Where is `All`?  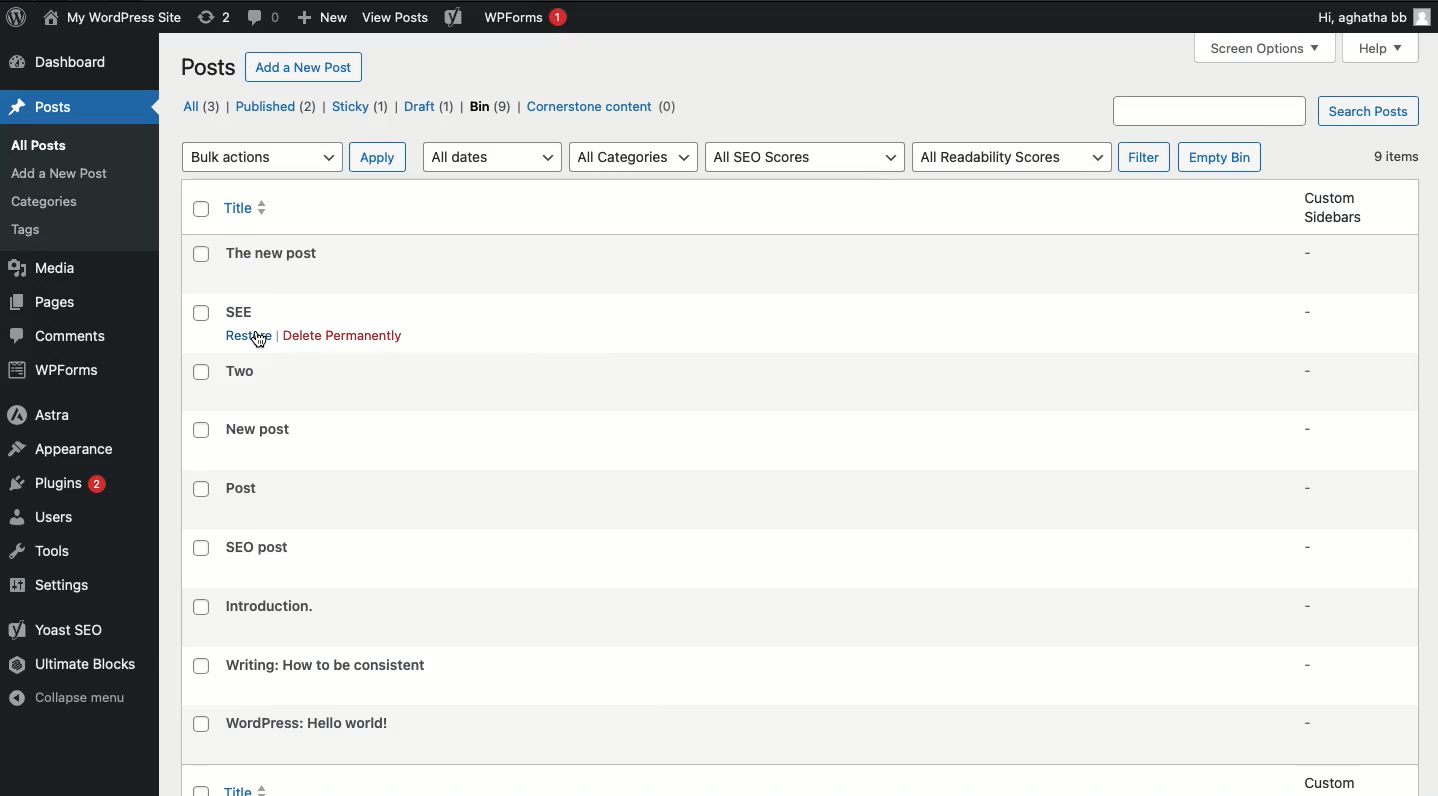 All is located at coordinates (199, 106).